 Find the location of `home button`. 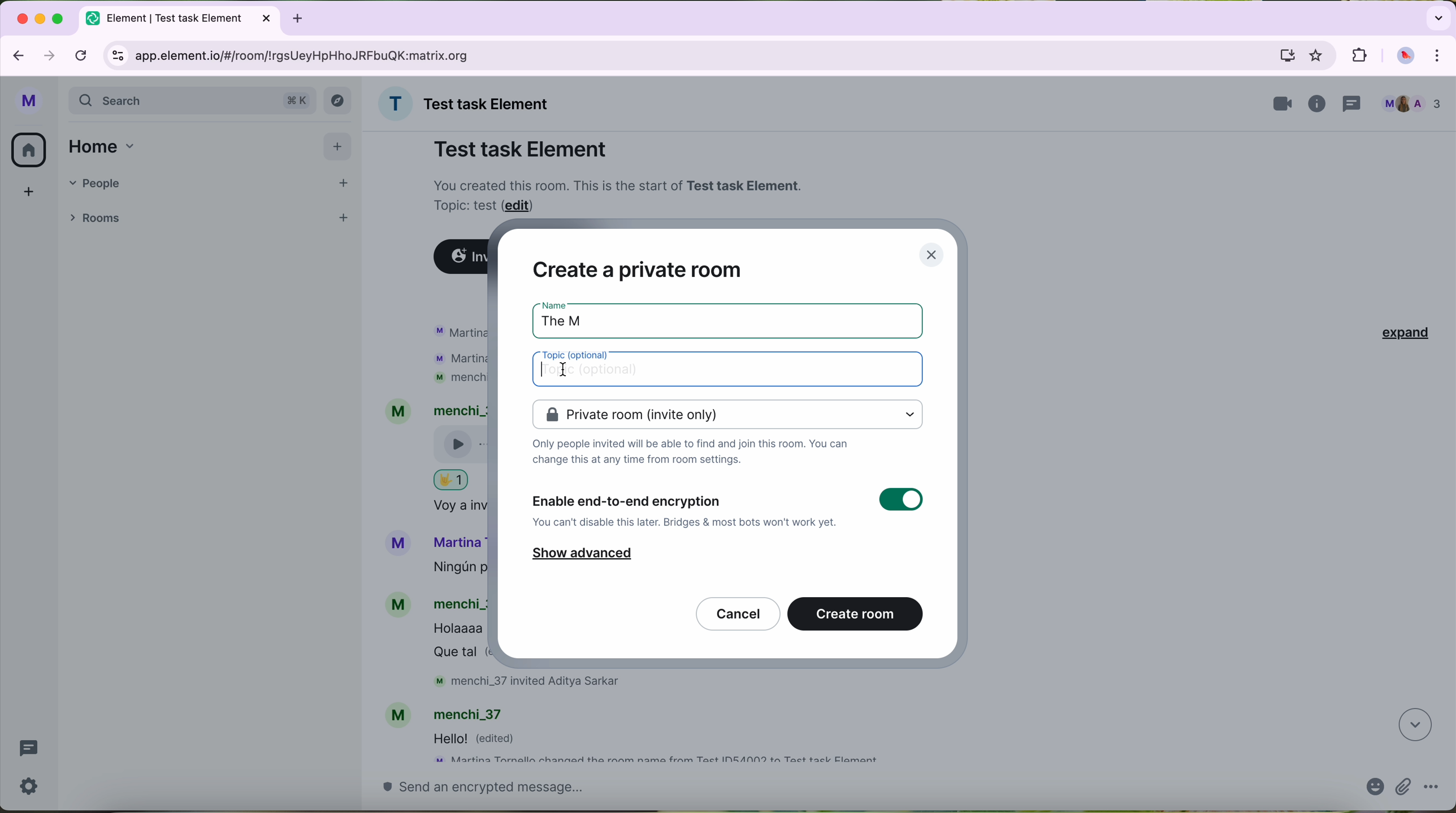

home button is located at coordinates (29, 150).